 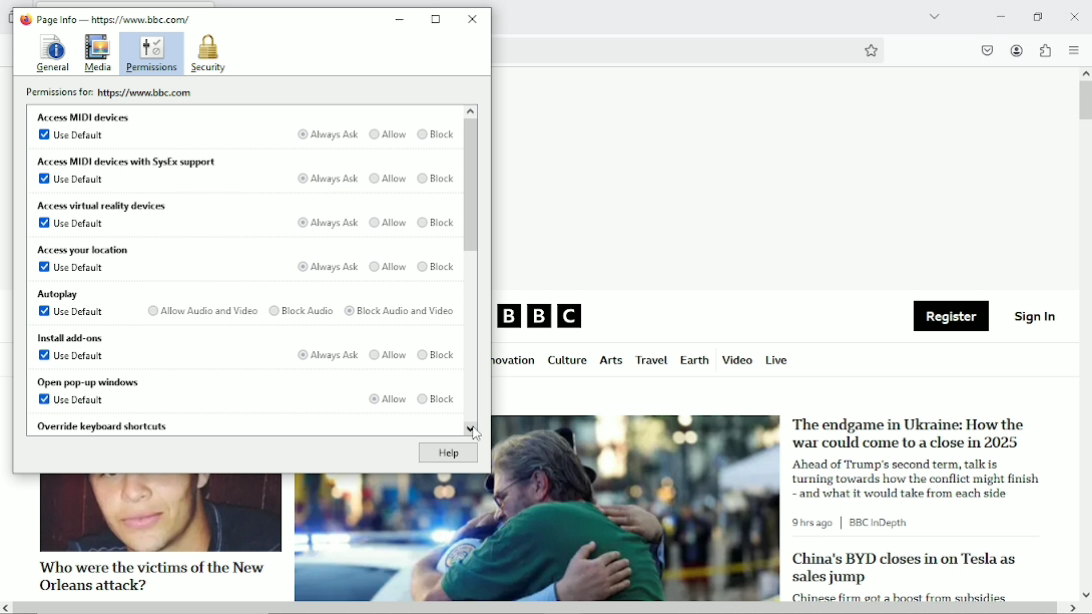 I want to click on Ahead of Trump's second term, talk is turning towards how the conflict might finish and what it would take from each side, so click(x=919, y=478).